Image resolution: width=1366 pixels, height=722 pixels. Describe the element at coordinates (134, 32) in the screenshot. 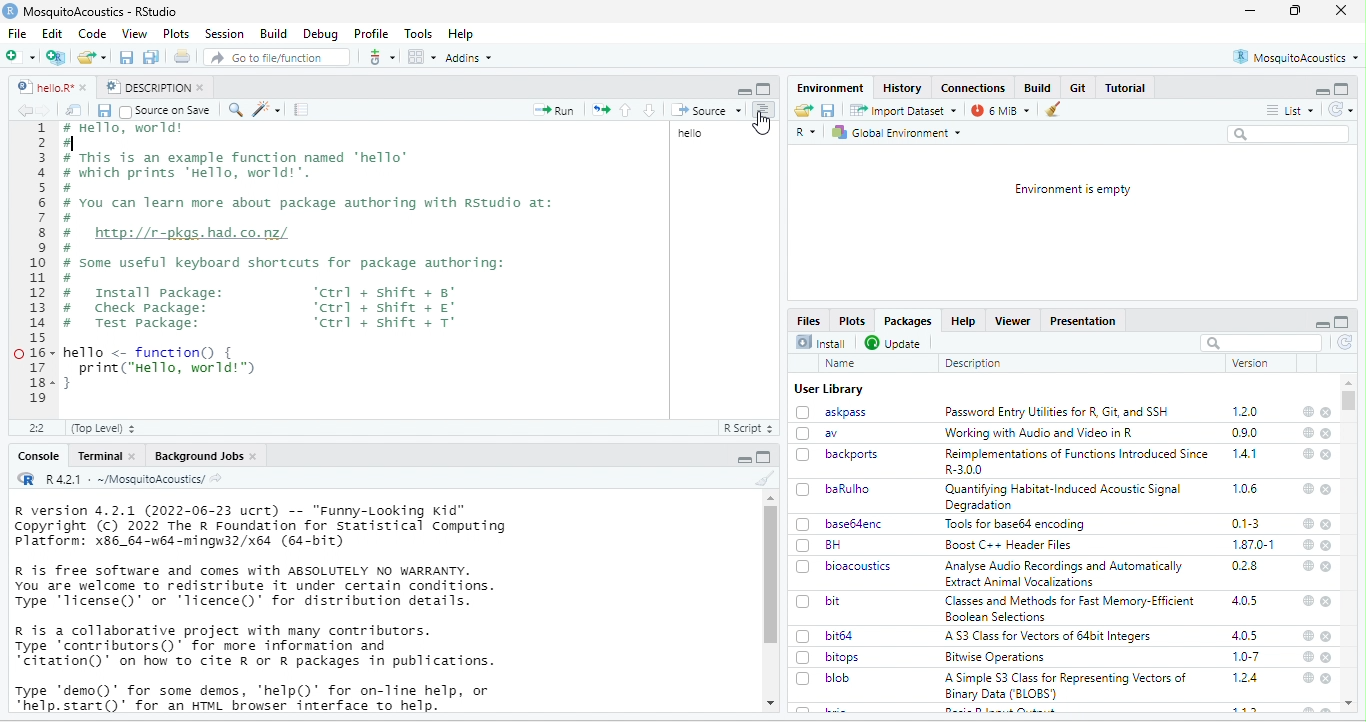

I see `View` at that location.